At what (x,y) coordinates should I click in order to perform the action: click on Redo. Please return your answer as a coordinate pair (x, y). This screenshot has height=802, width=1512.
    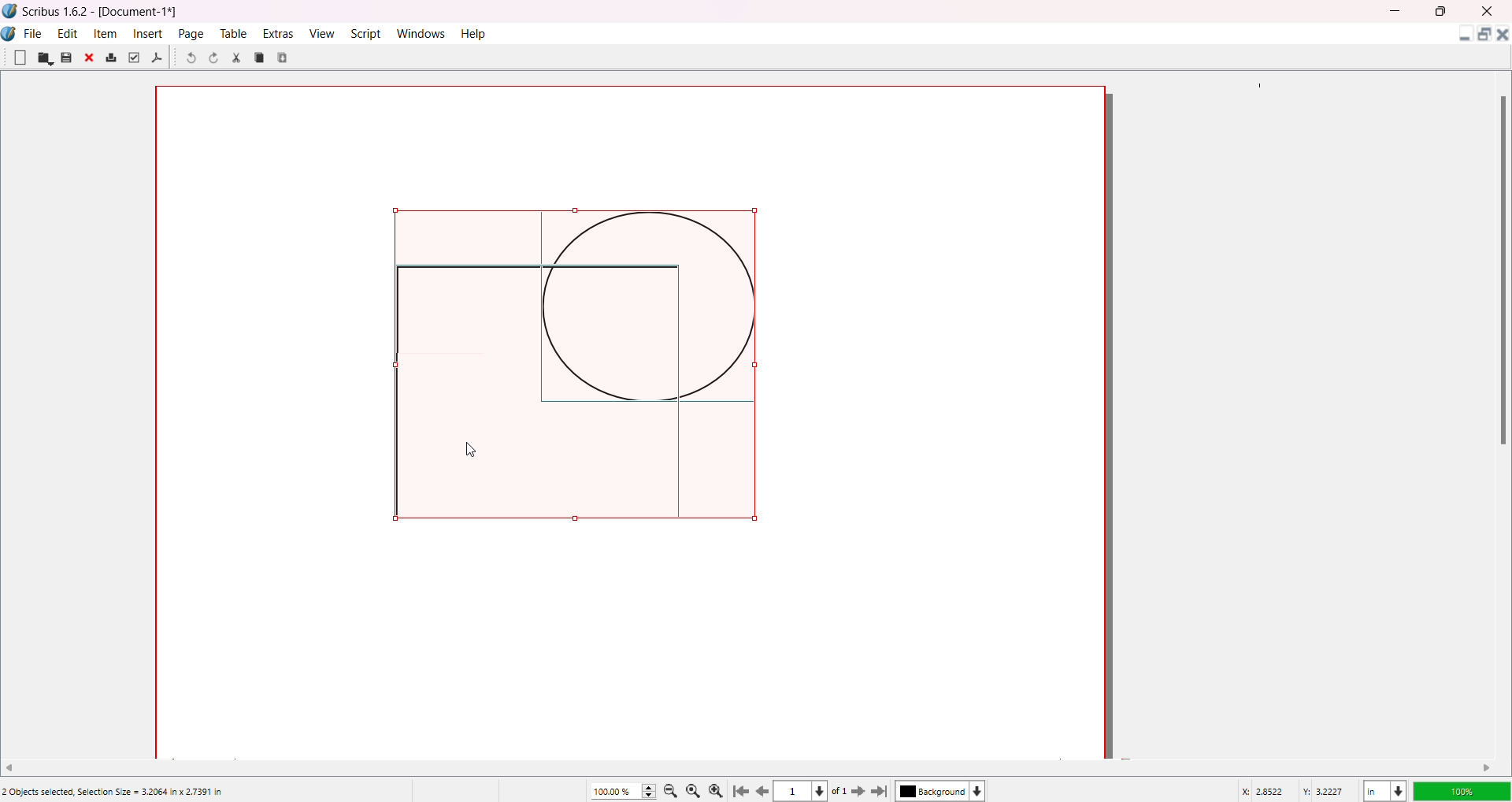
    Looking at the image, I should click on (217, 60).